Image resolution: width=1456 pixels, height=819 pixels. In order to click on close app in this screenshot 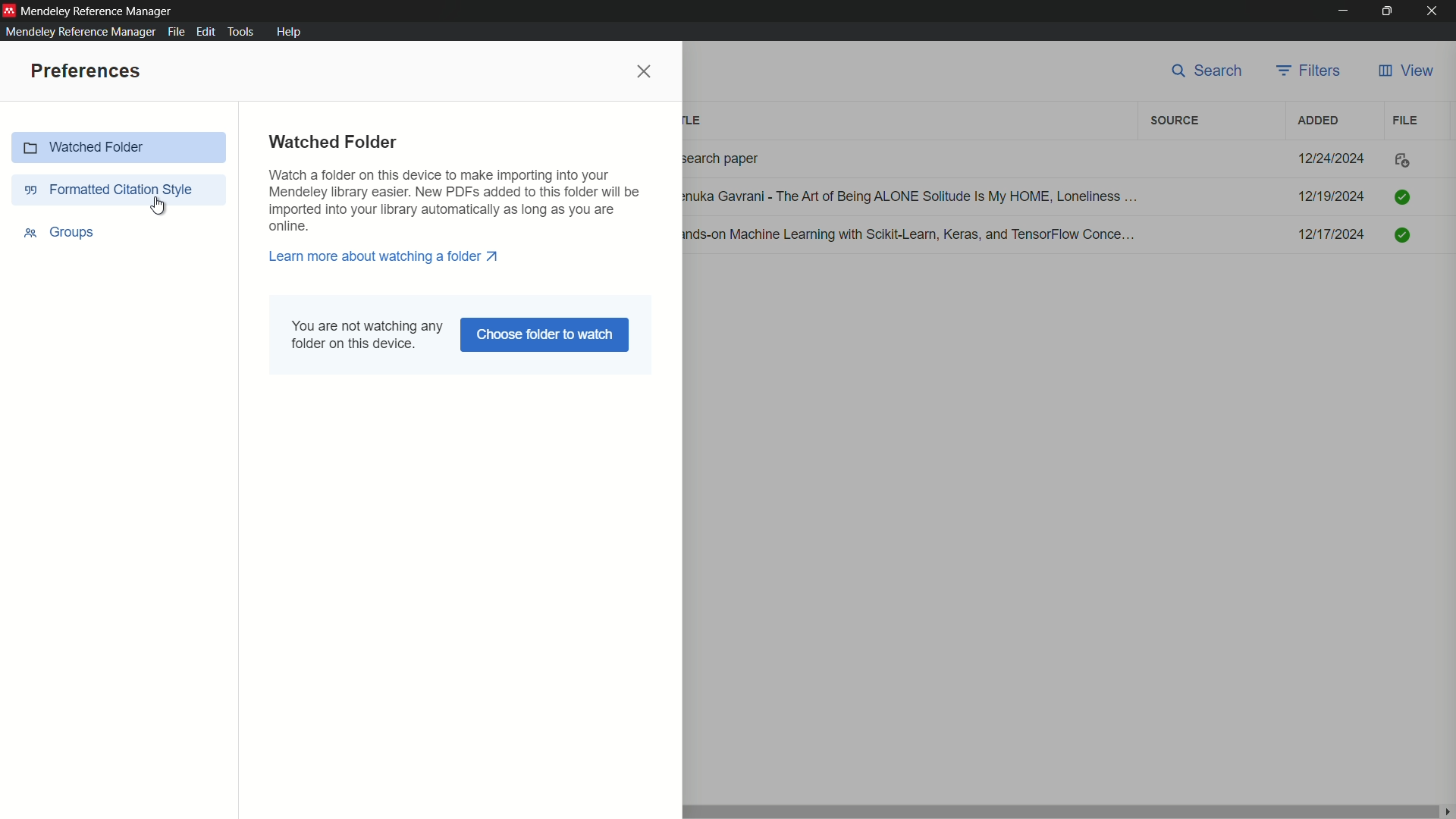, I will do `click(1436, 11)`.